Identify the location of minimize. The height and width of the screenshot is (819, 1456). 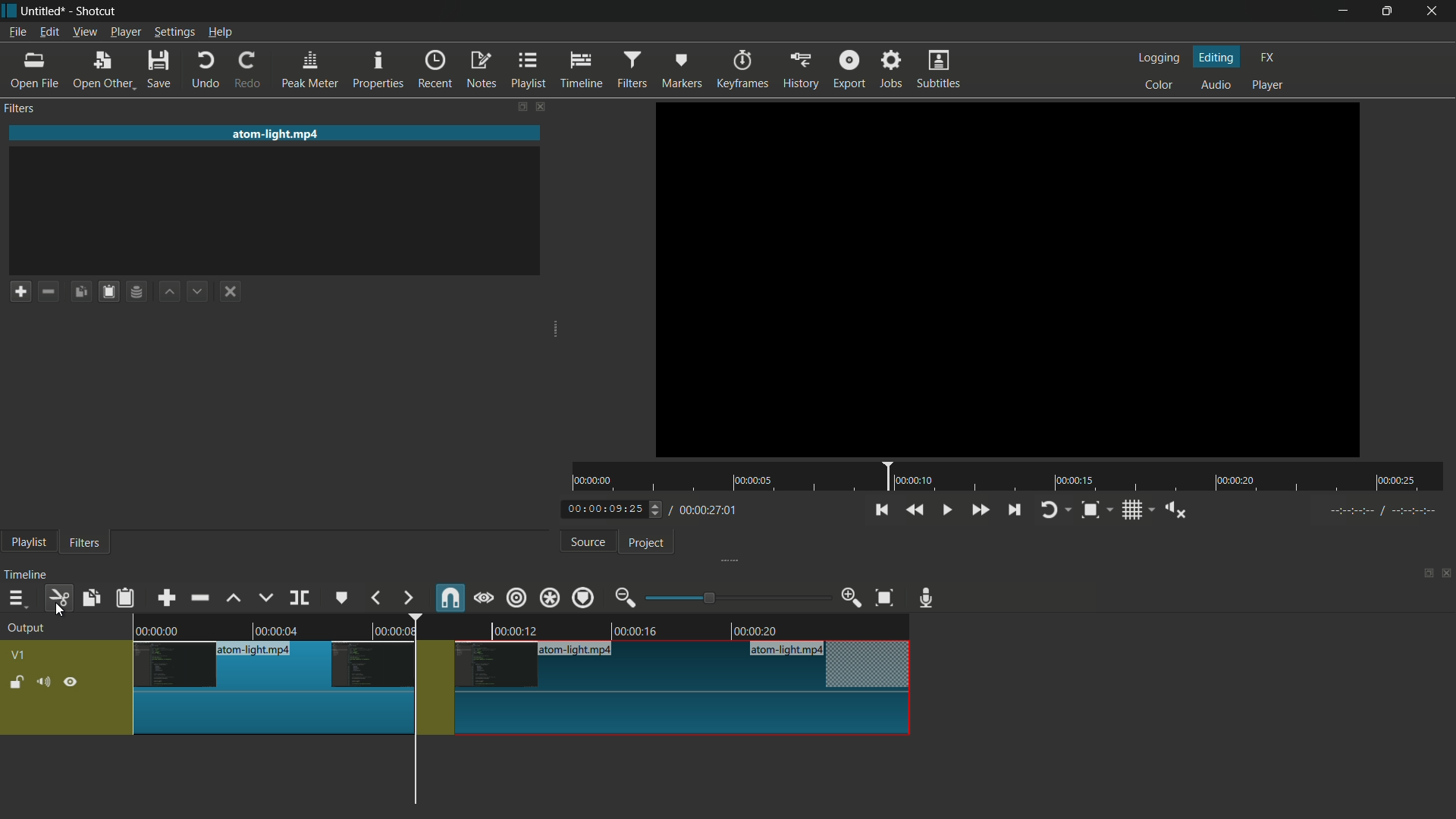
(1341, 11).